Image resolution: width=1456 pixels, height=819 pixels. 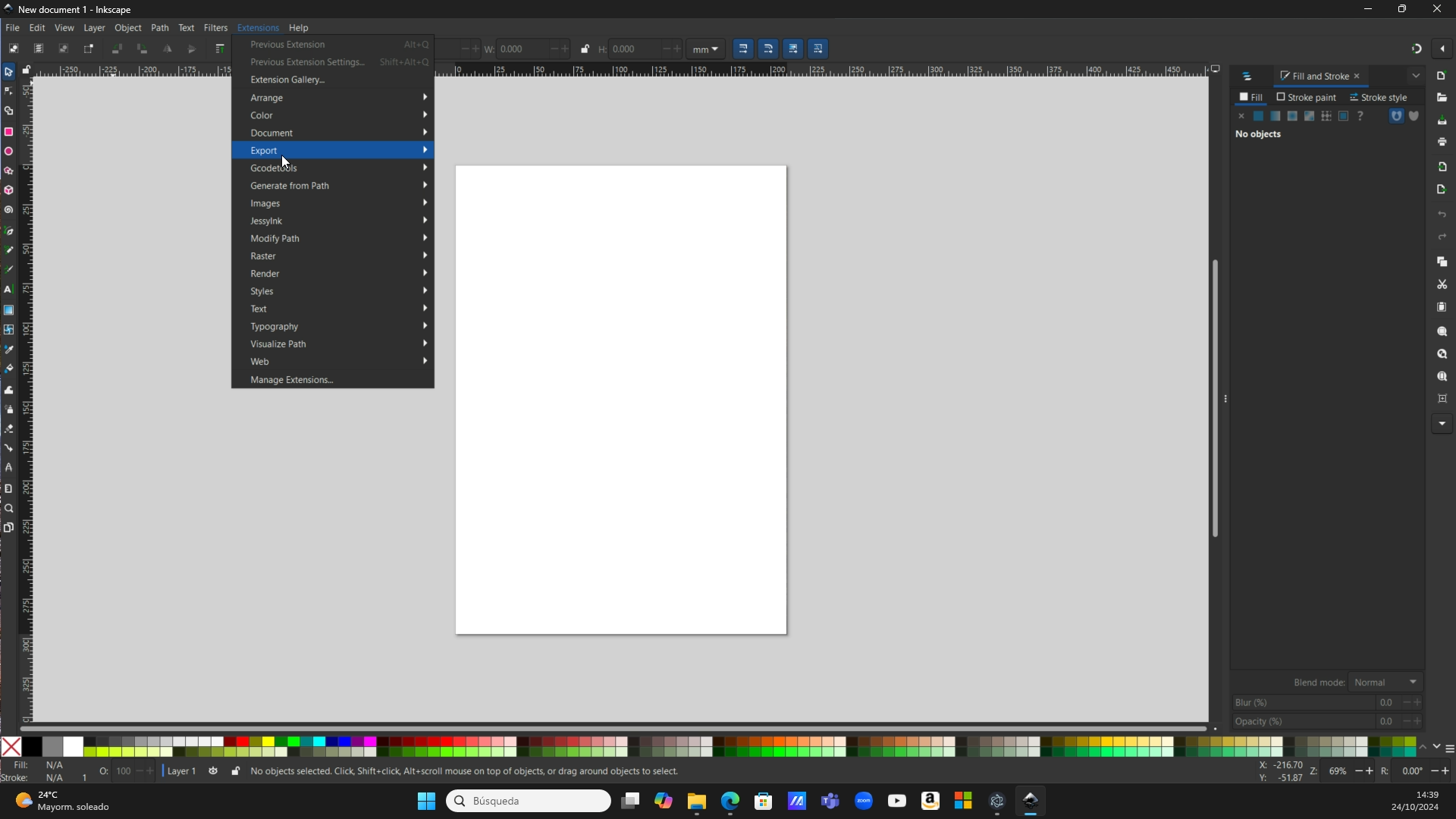 I want to click on vertical scroll bar, so click(x=1210, y=400).